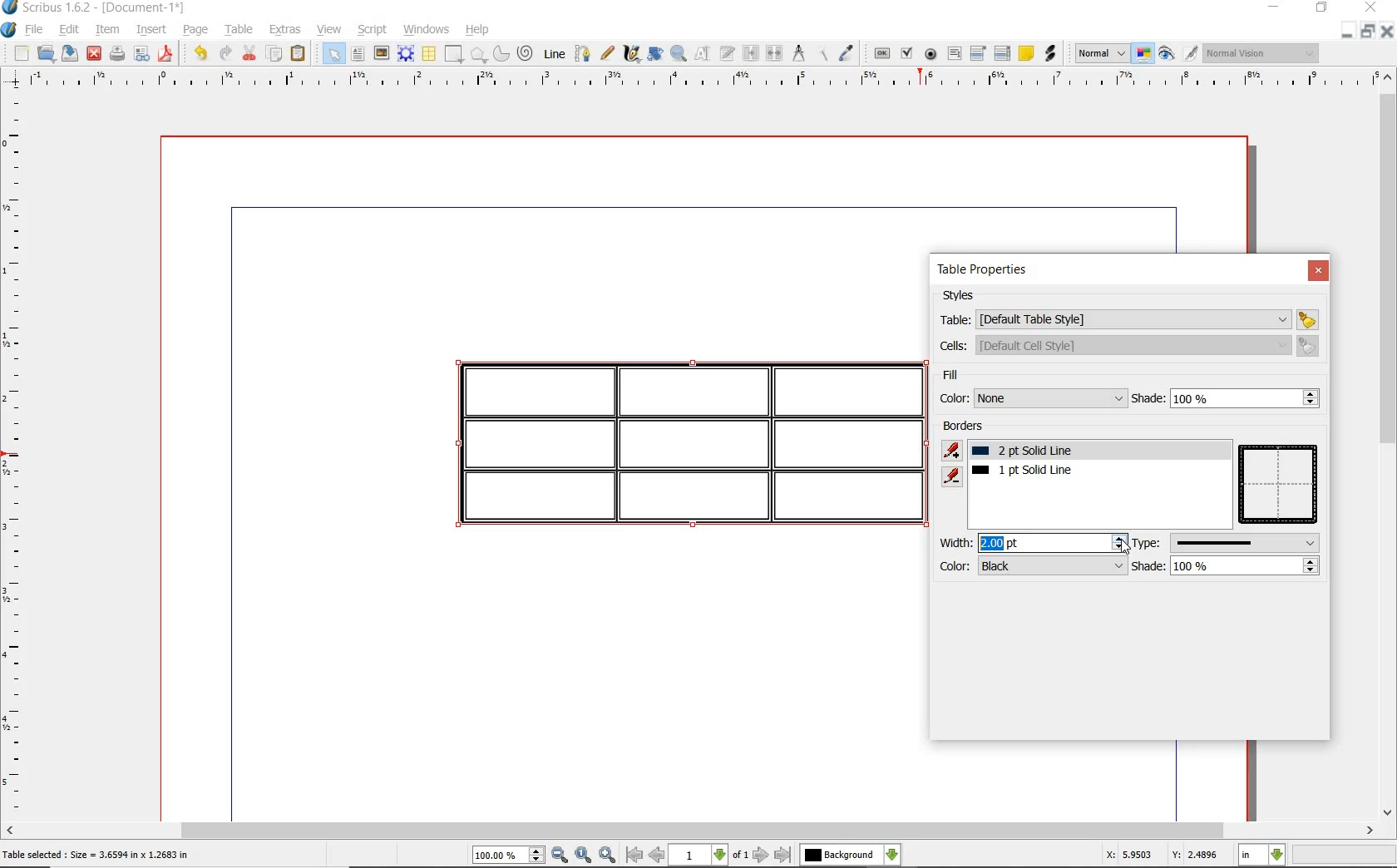 The height and width of the screenshot is (868, 1397). What do you see at coordinates (750, 53) in the screenshot?
I see `link text frame` at bounding box center [750, 53].